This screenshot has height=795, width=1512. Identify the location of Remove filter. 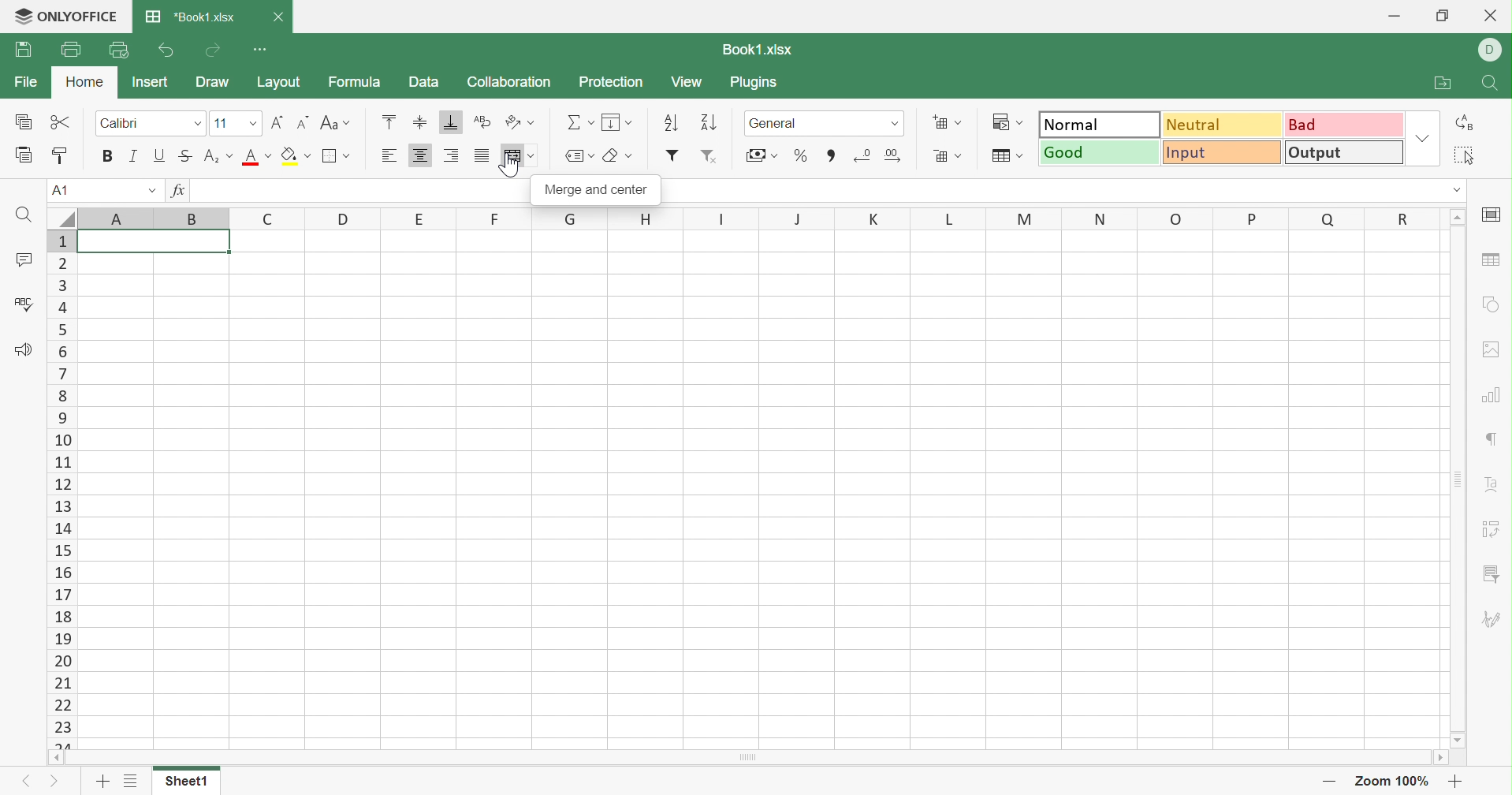
(713, 156).